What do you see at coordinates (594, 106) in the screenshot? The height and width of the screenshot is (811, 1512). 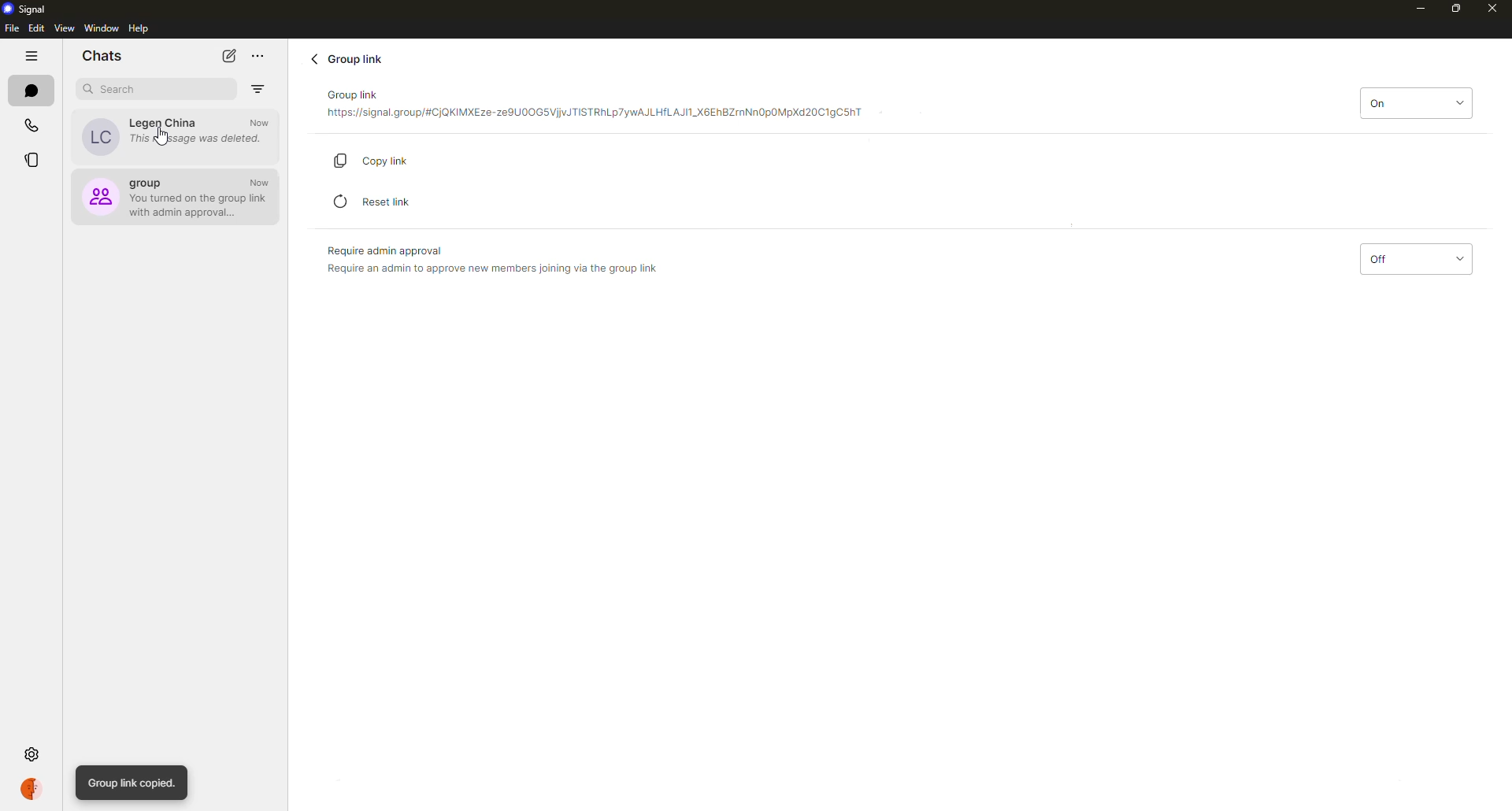 I see `group link` at bounding box center [594, 106].